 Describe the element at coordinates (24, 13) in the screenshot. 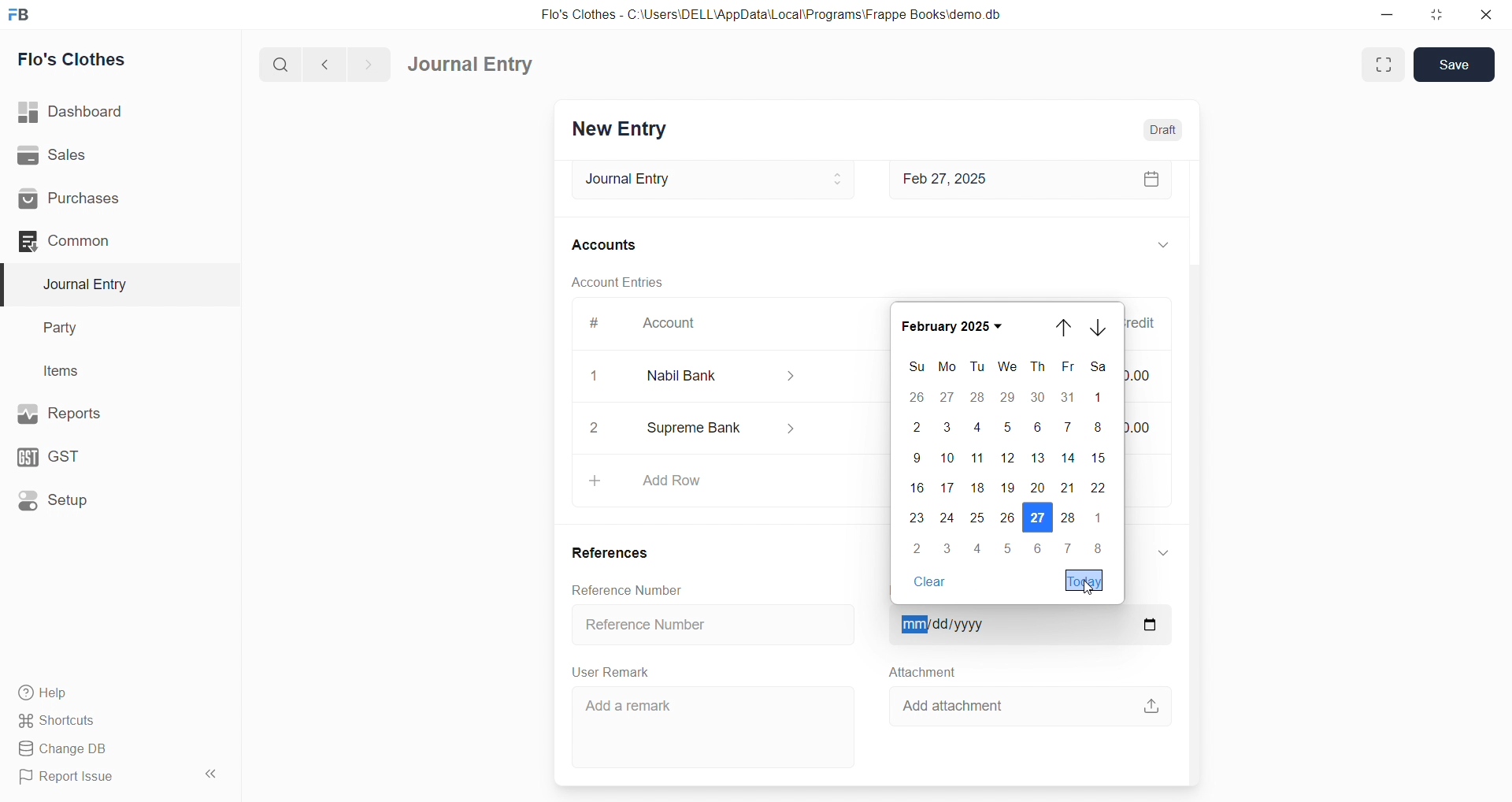

I see `logo` at that location.